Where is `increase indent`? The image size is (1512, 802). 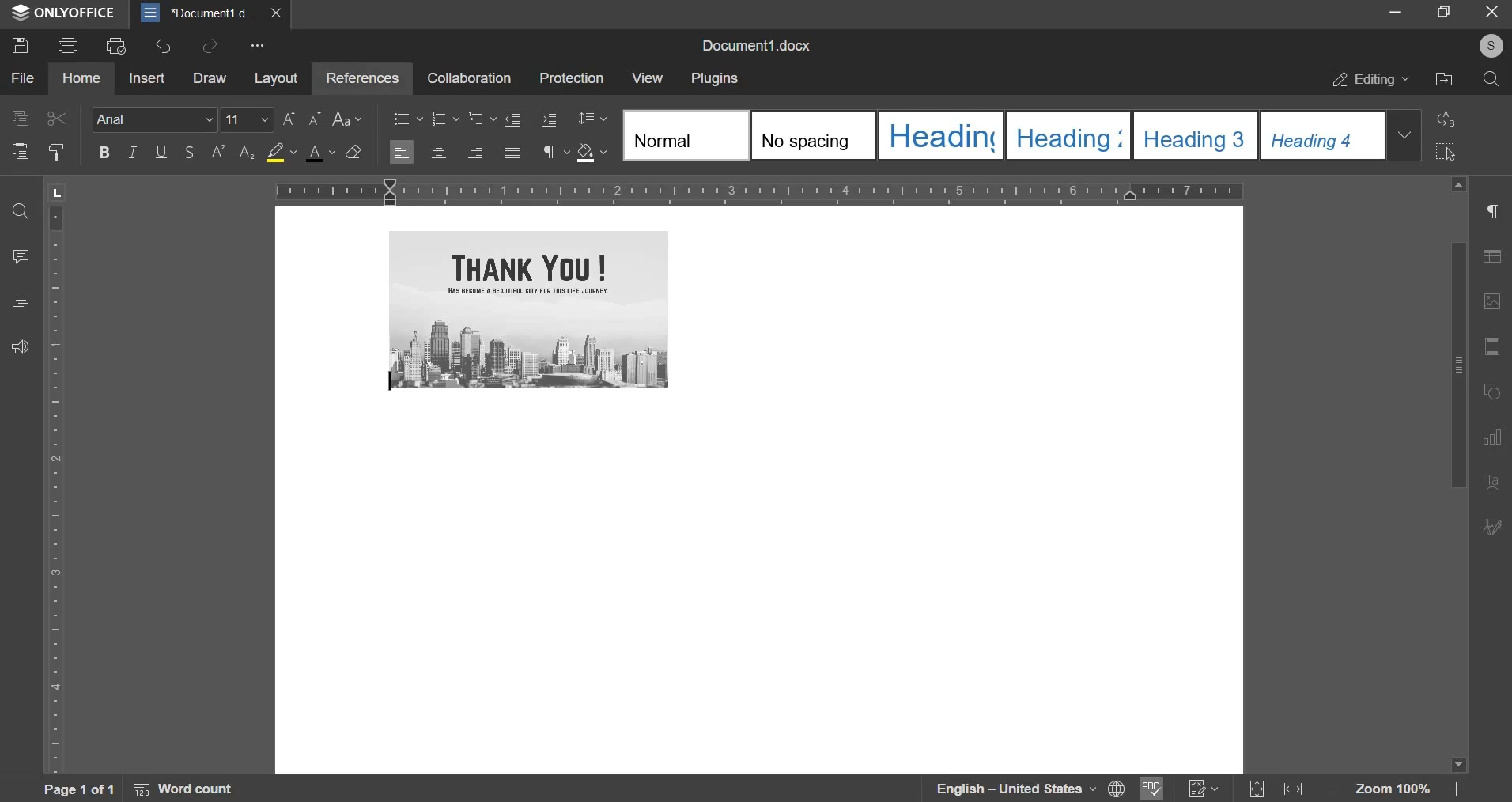
increase indent is located at coordinates (547, 117).